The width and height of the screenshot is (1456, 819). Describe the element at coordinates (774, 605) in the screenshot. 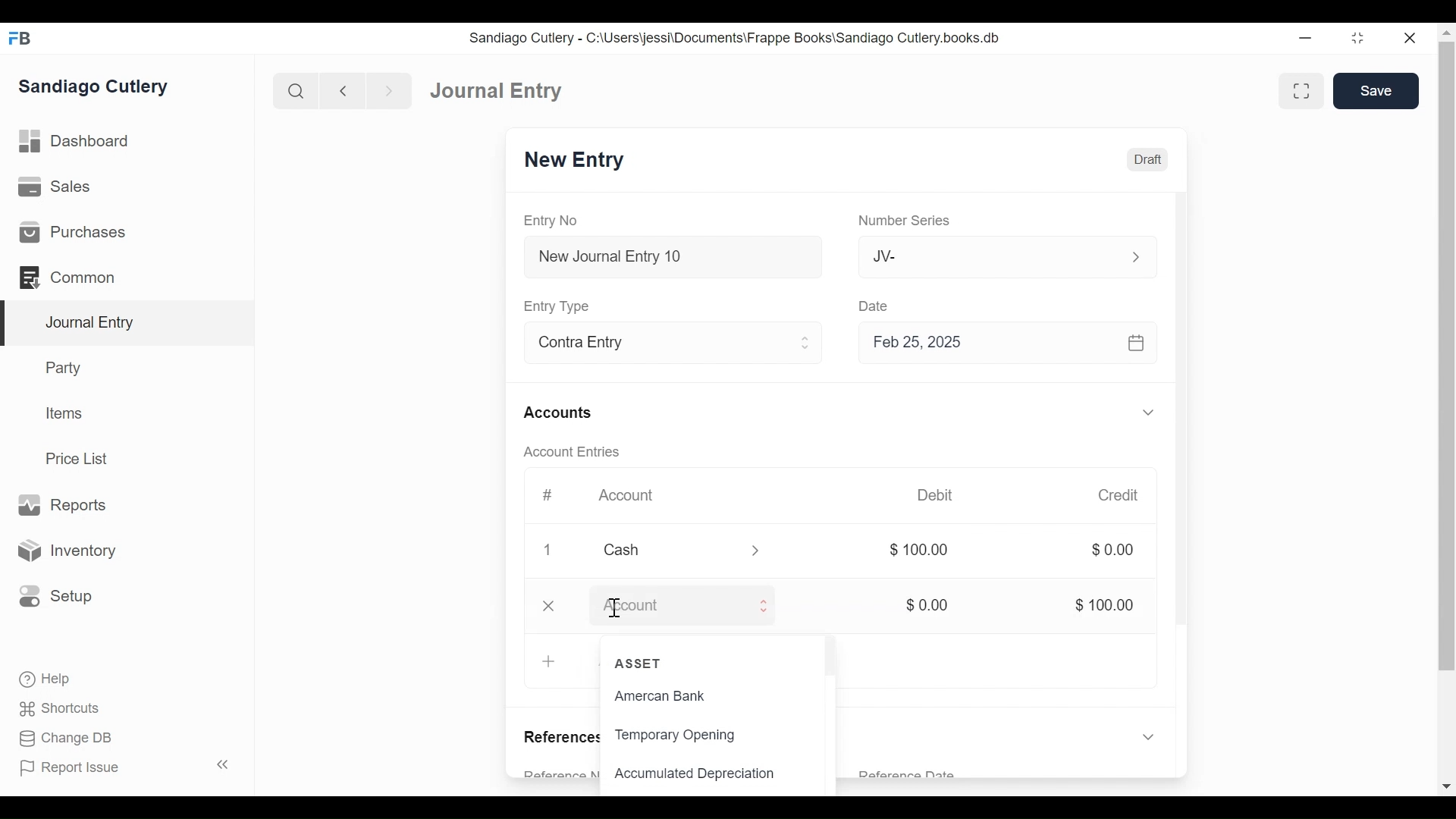

I see `Expand` at that location.